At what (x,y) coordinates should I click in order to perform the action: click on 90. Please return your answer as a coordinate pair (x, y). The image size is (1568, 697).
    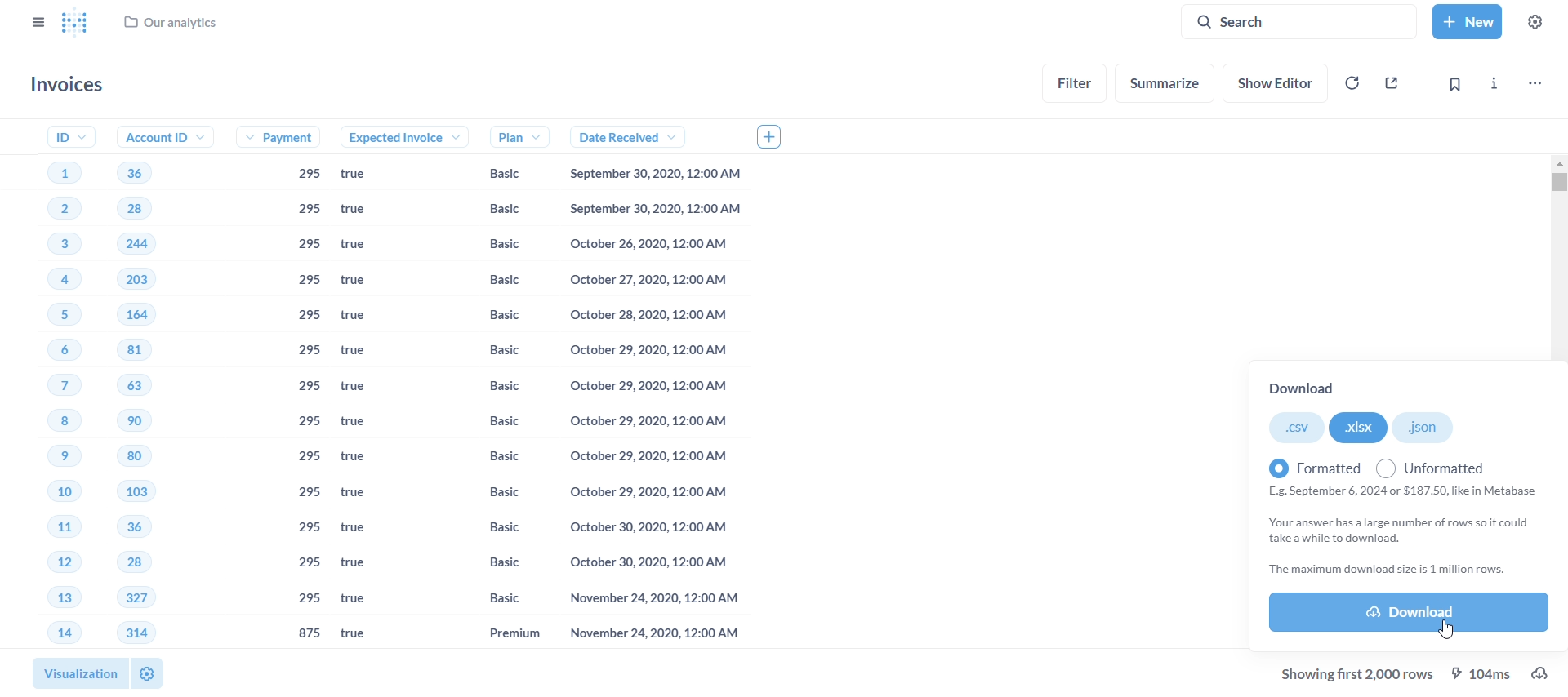
    Looking at the image, I should click on (135, 422).